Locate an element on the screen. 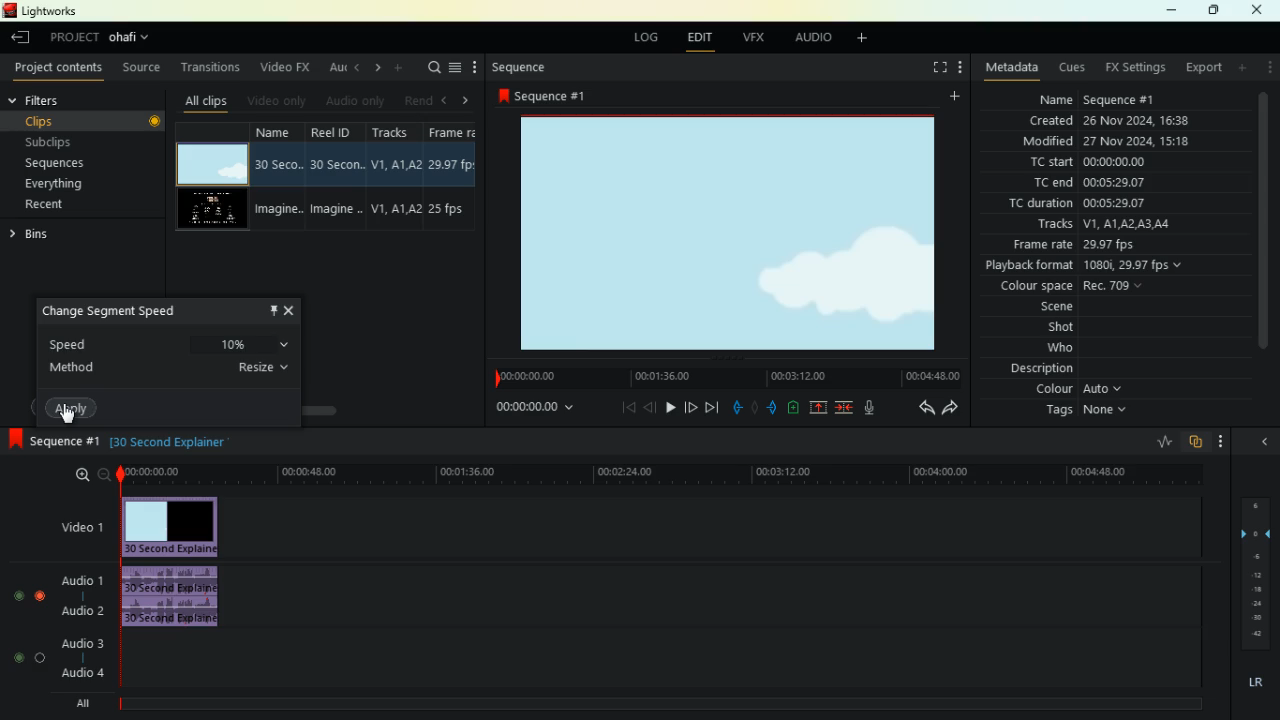 This screenshot has width=1280, height=720. forward is located at coordinates (691, 409).